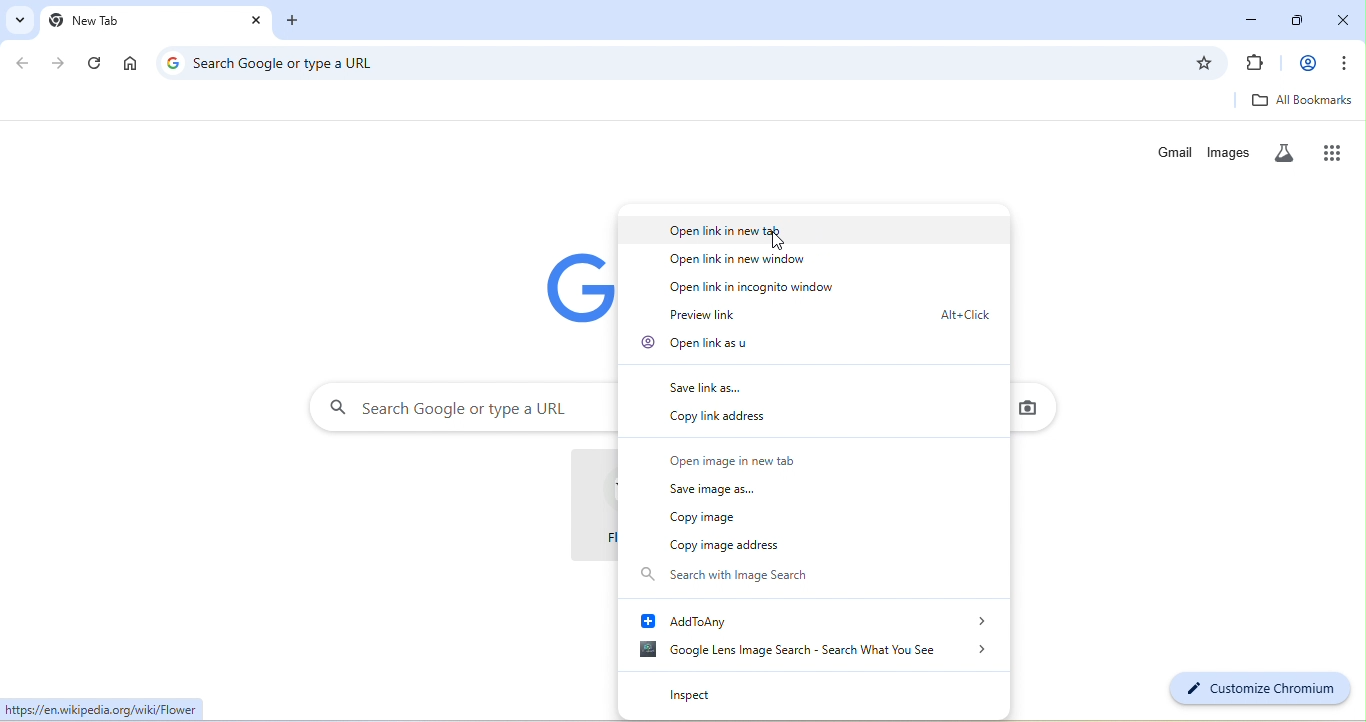 The width and height of the screenshot is (1366, 722). I want to click on search by image, so click(1028, 407).